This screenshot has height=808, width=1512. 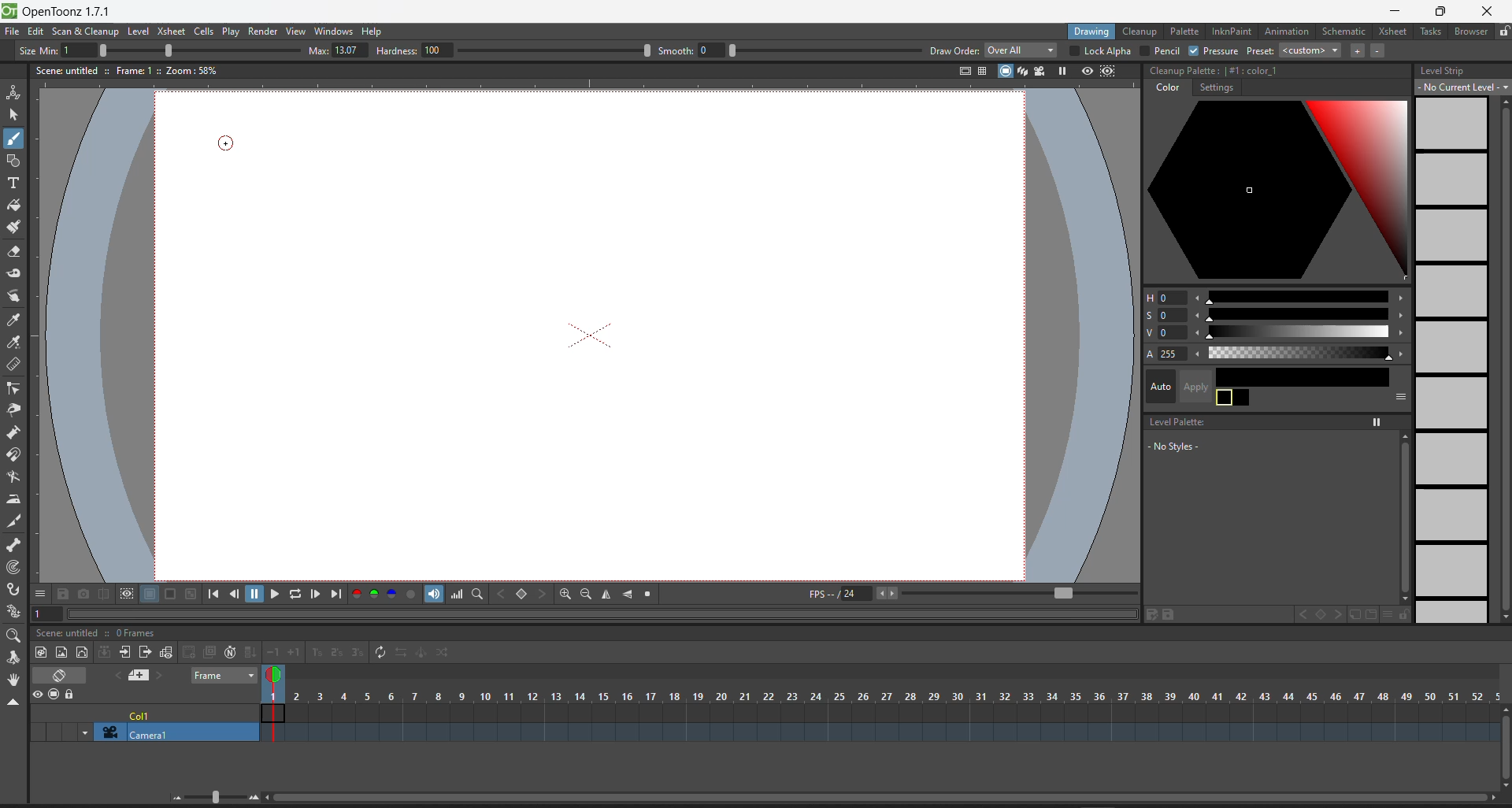 What do you see at coordinates (1140, 32) in the screenshot?
I see `cleanup` at bounding box center [1140, 32].